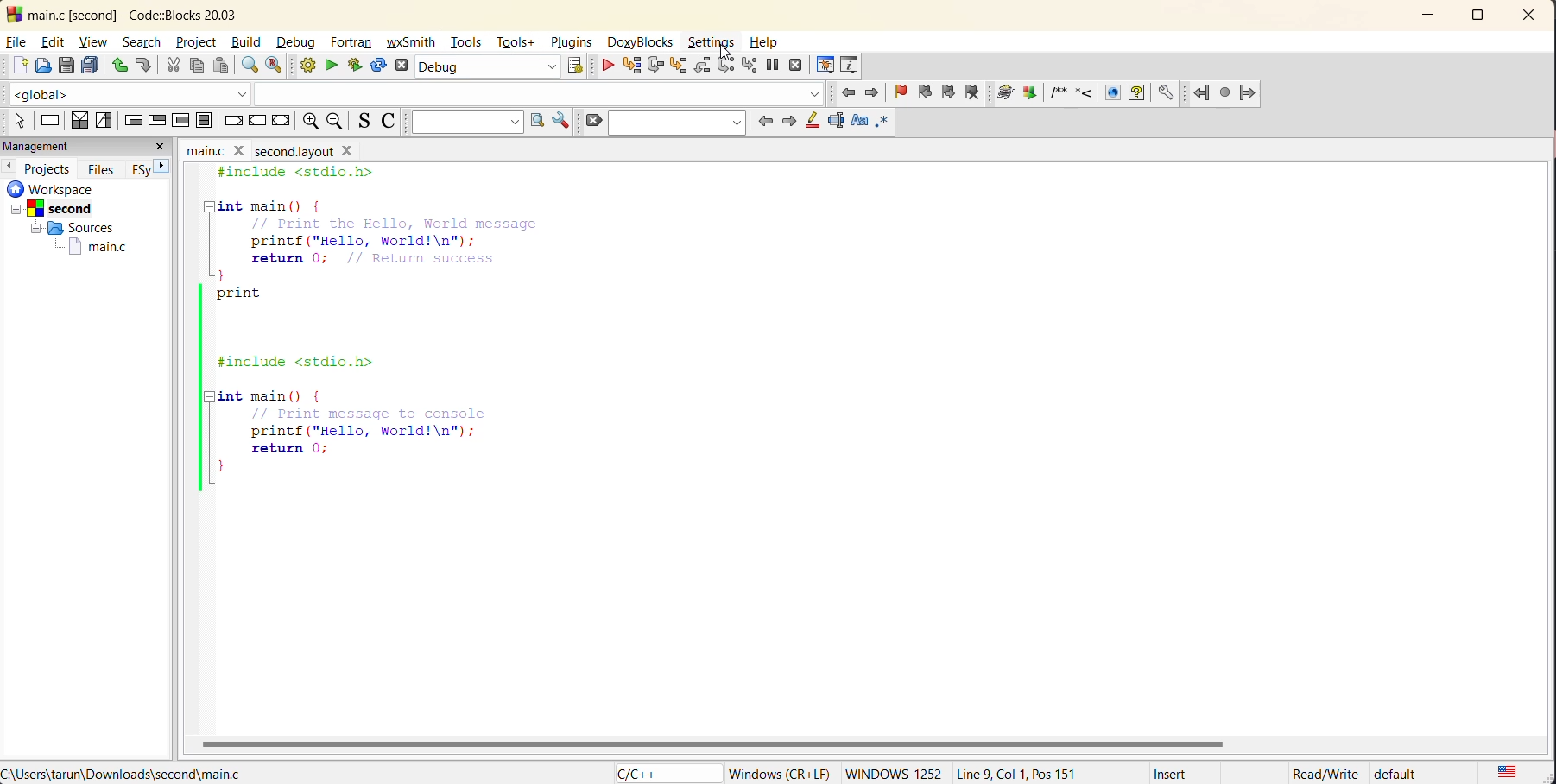  I want to click on jump back, so click(851, 93).